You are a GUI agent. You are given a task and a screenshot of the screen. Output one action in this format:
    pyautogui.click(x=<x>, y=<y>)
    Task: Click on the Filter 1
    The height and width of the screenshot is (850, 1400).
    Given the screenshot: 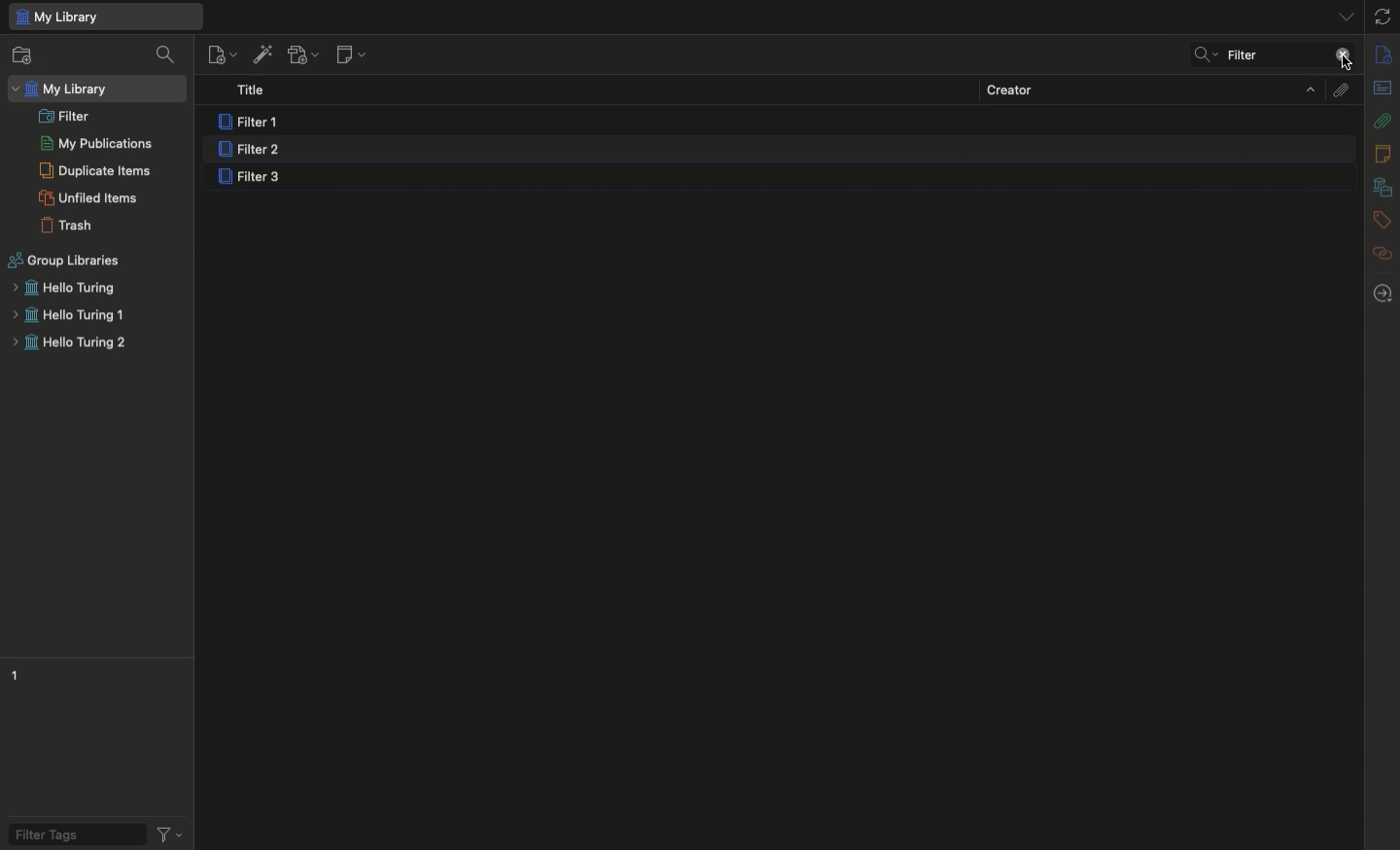 What is the action you would take?
    pyautogui.click(x=252, y=123)
    